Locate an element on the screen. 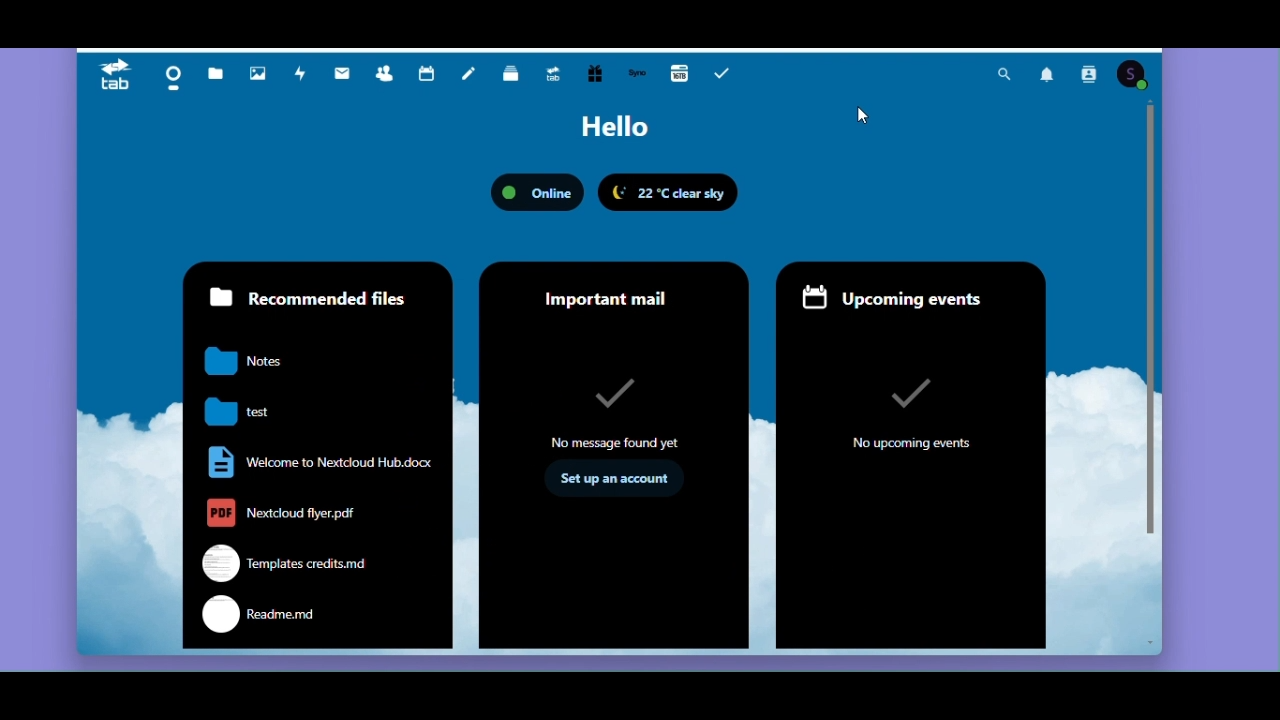 The image size is (1280, 720). Contacts is located at coordinates (384, 71).